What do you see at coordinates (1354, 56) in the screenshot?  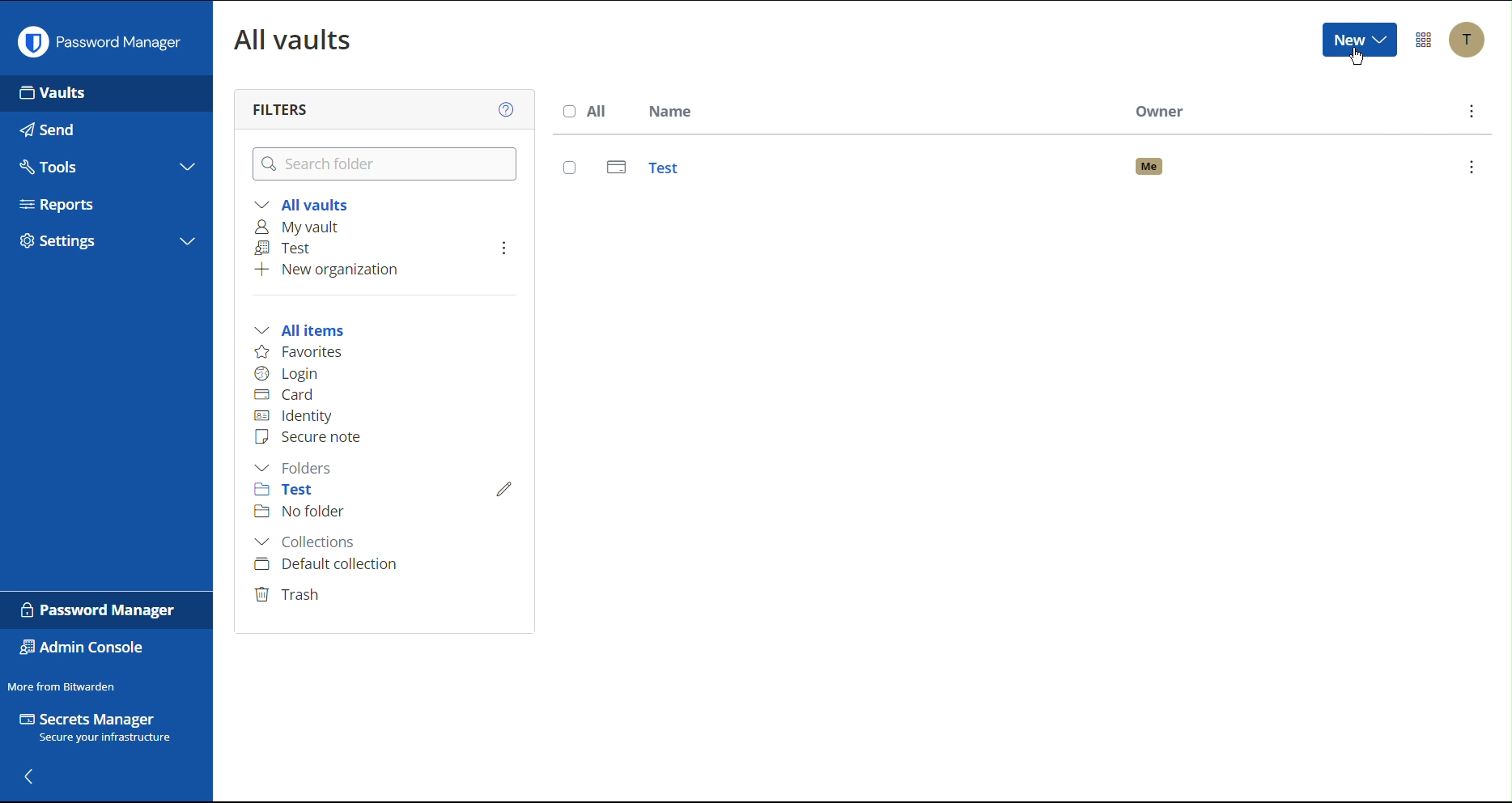 I see `Cursor` at bounding box center [1354, 56].